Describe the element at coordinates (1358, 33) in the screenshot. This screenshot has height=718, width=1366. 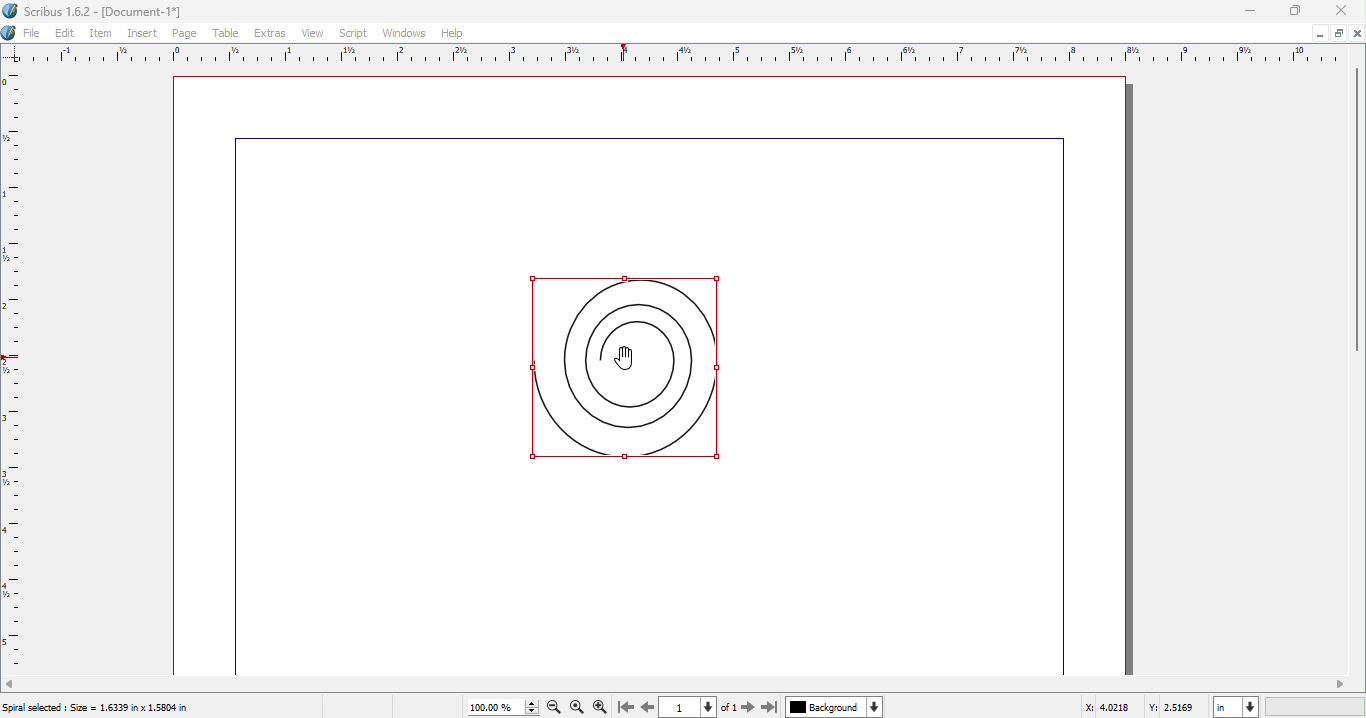
I see `Close document` at that location.